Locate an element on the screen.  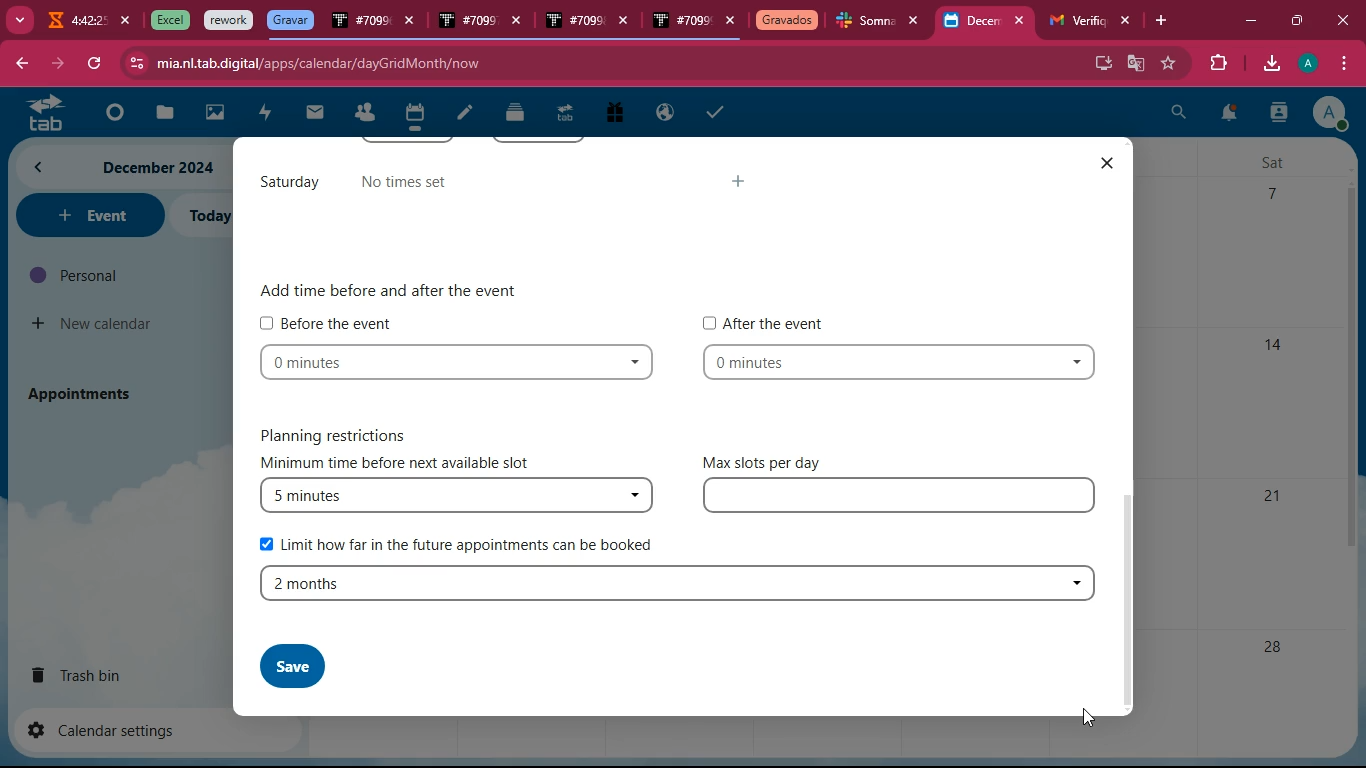
desktop is located at coordinates (1100, 61).